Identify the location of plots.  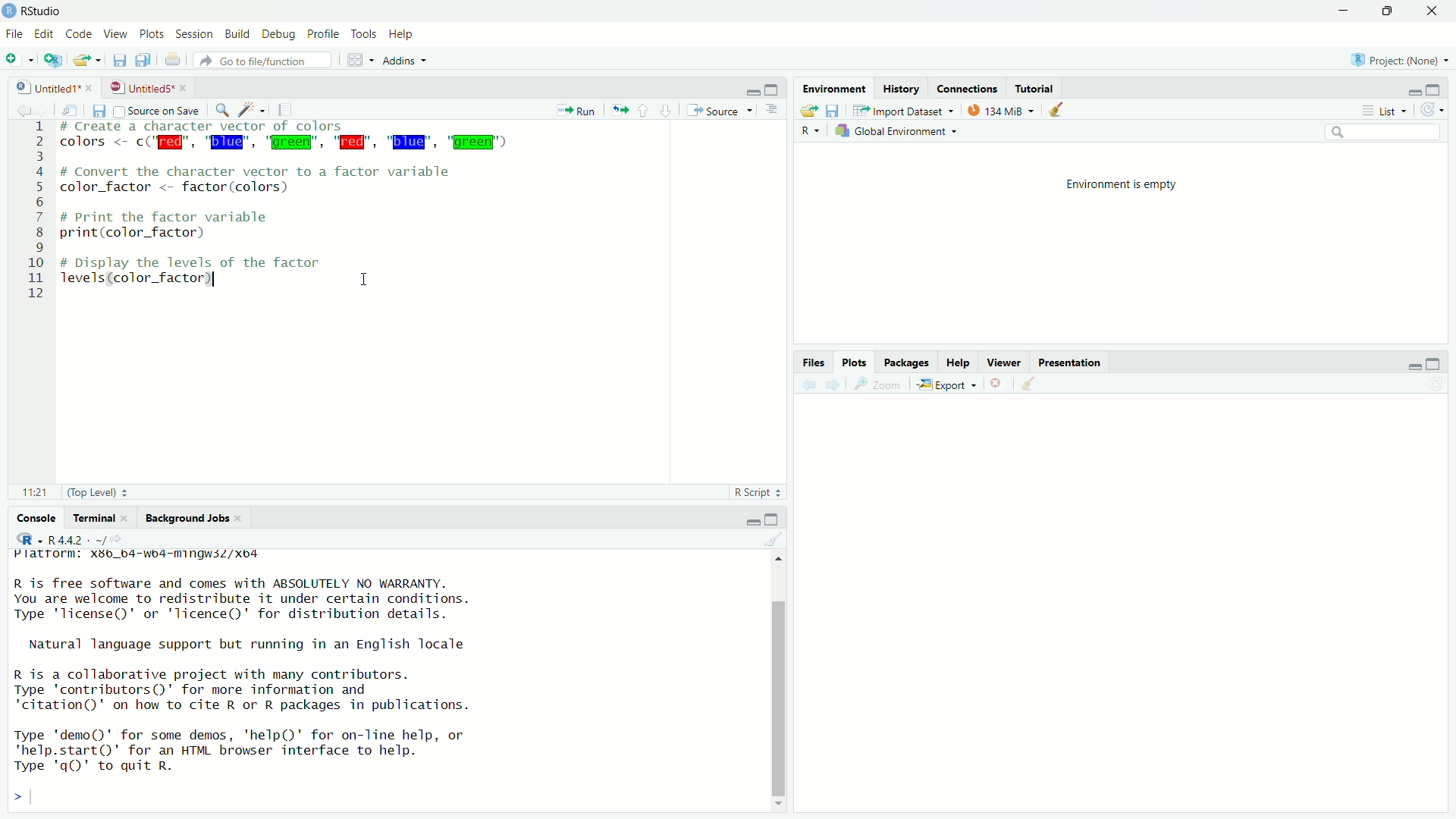
(152, 35).